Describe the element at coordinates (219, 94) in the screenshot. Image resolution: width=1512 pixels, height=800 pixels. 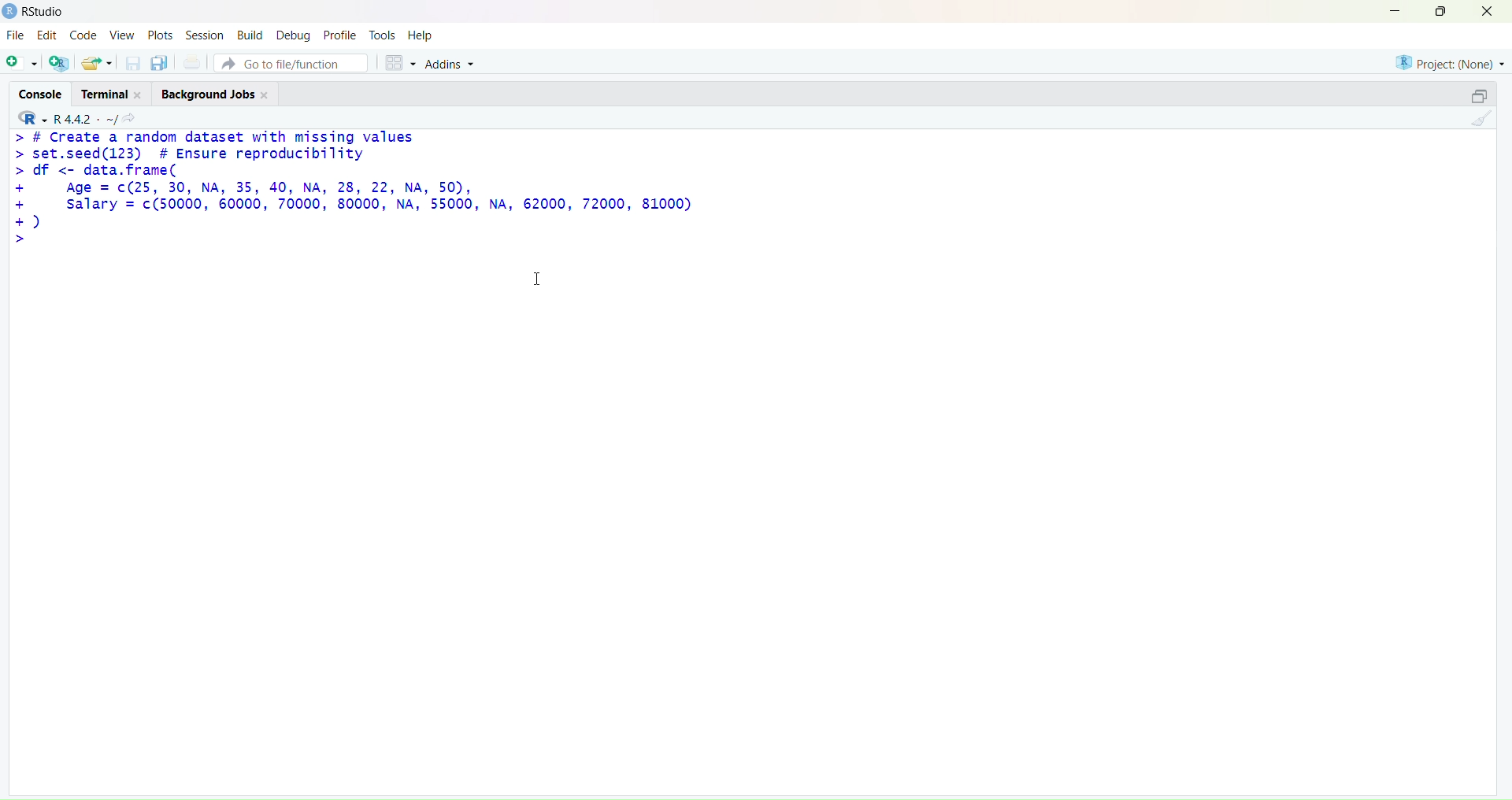
I see `background jobs` at that location.